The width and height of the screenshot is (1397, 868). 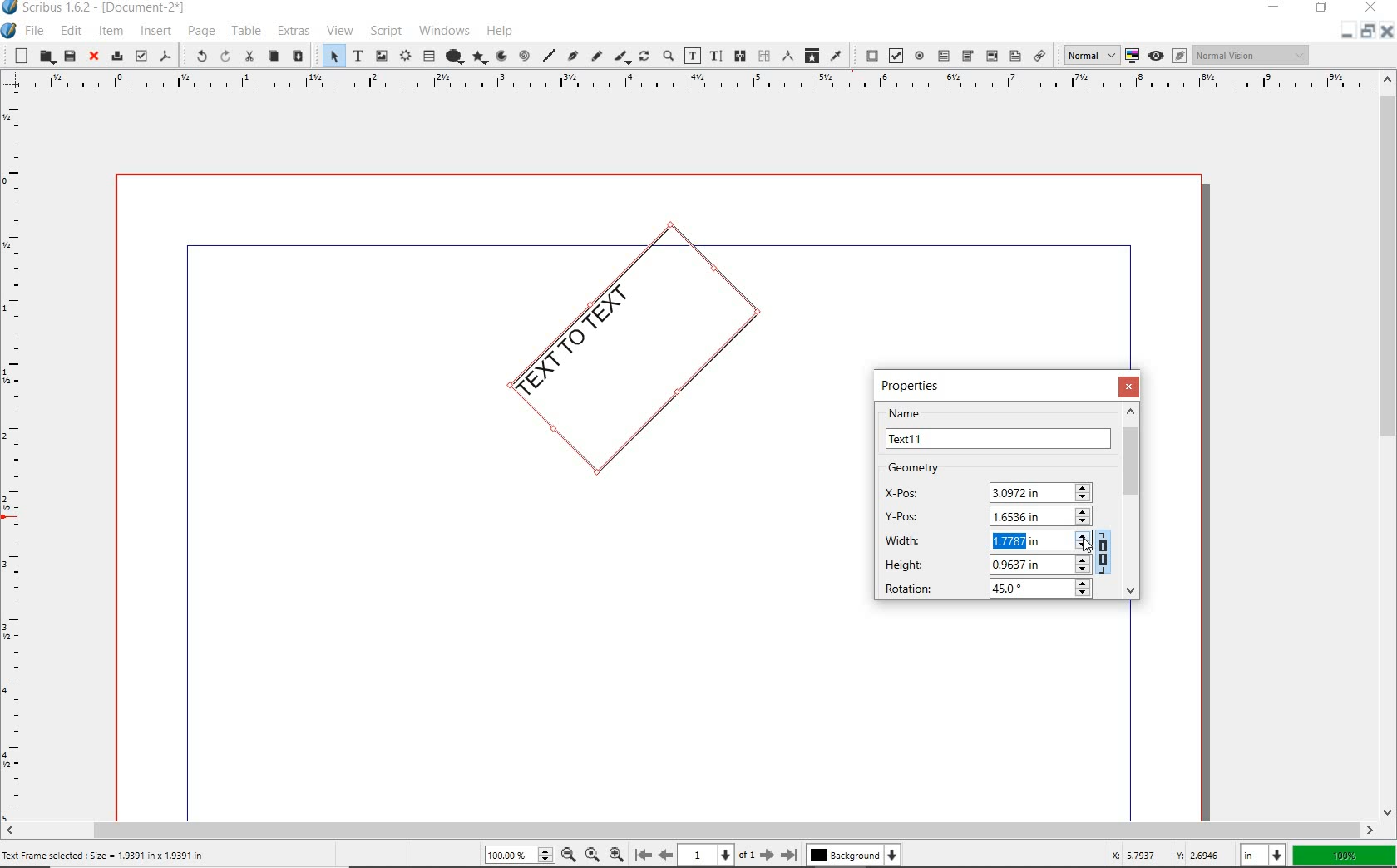 I want to click on minimize, so click(x=1345, y=34).